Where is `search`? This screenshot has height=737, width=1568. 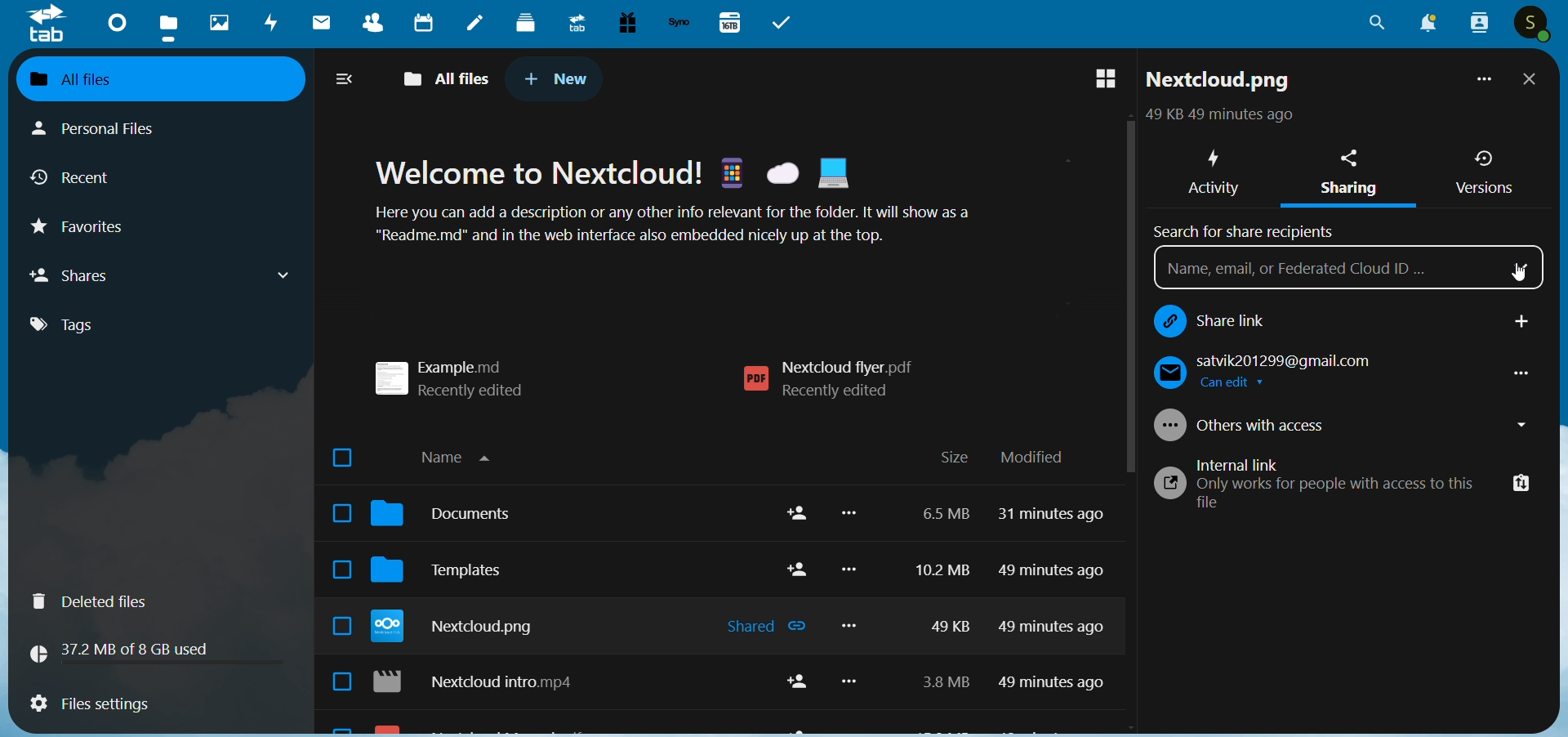 search is located at coordinates (1377, 28).